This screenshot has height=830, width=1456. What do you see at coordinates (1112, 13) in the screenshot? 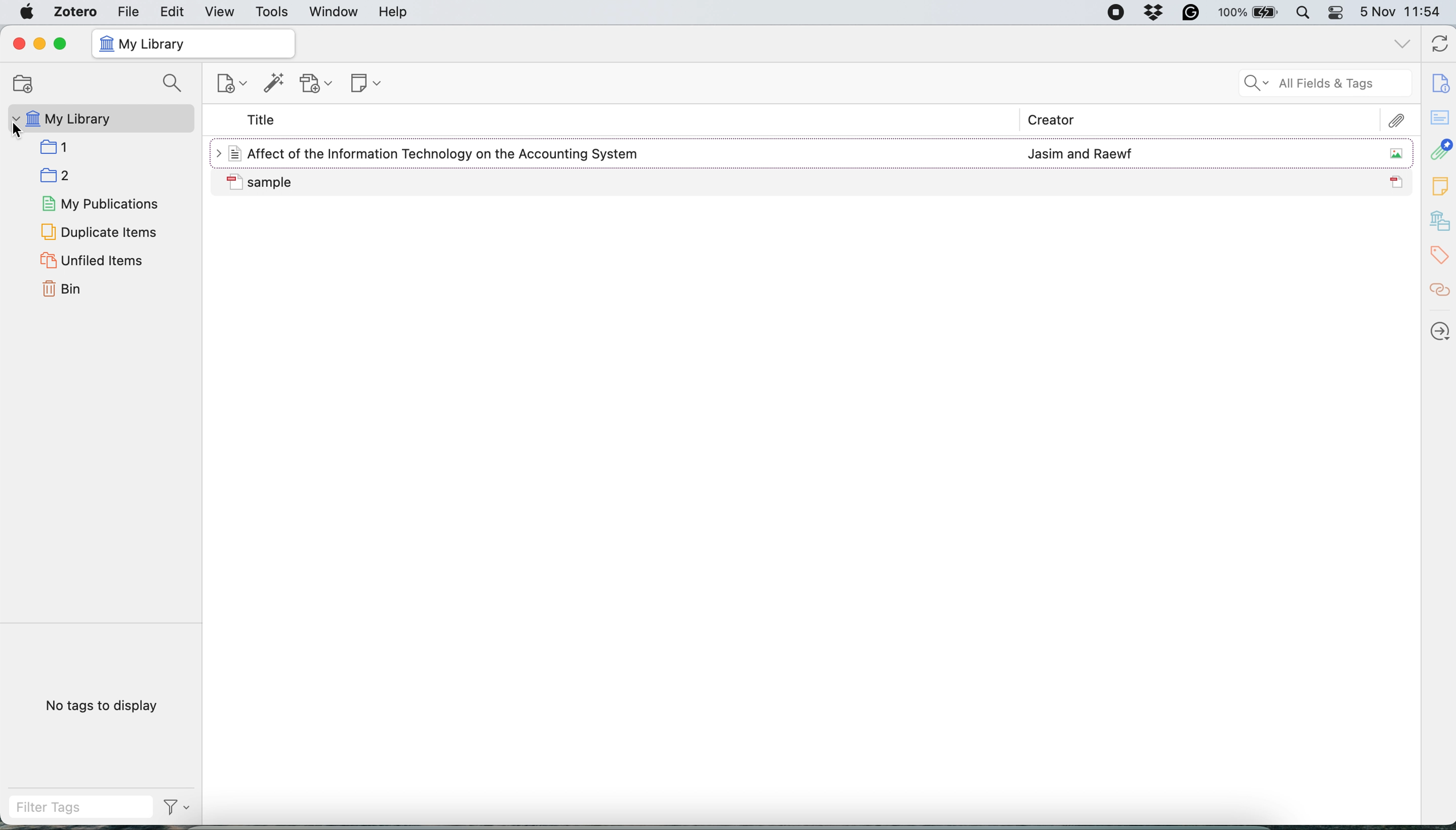
I see `screen recorder` at bounding box center [1112, 13].